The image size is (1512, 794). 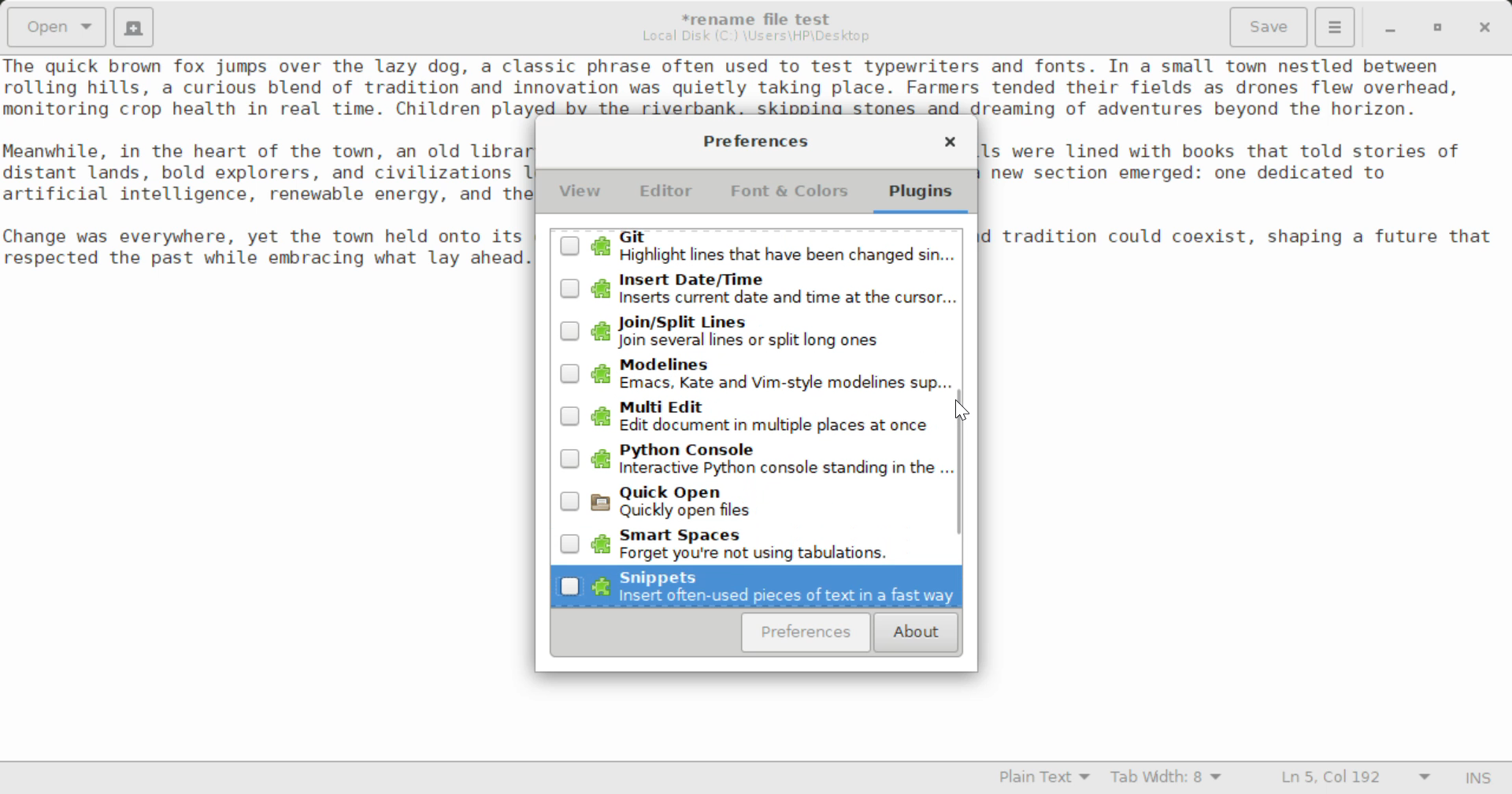 What do you see at coordinates (755, 141) in the screenshot?
I see `Preferences Setting Window Heading` at bounding box center [755, 141].